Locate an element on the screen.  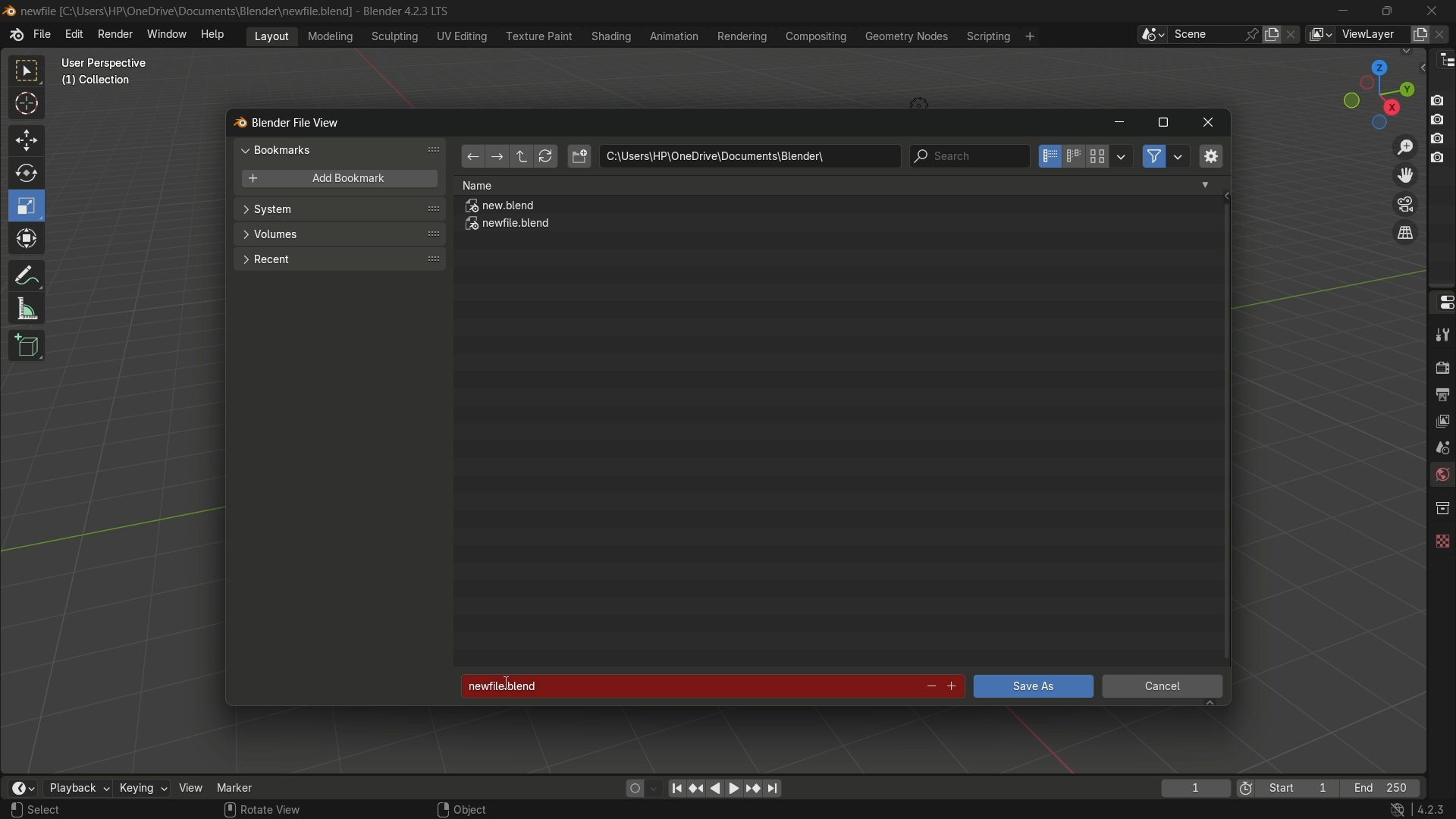
browse scenes is located at coordinates (1152, 35).